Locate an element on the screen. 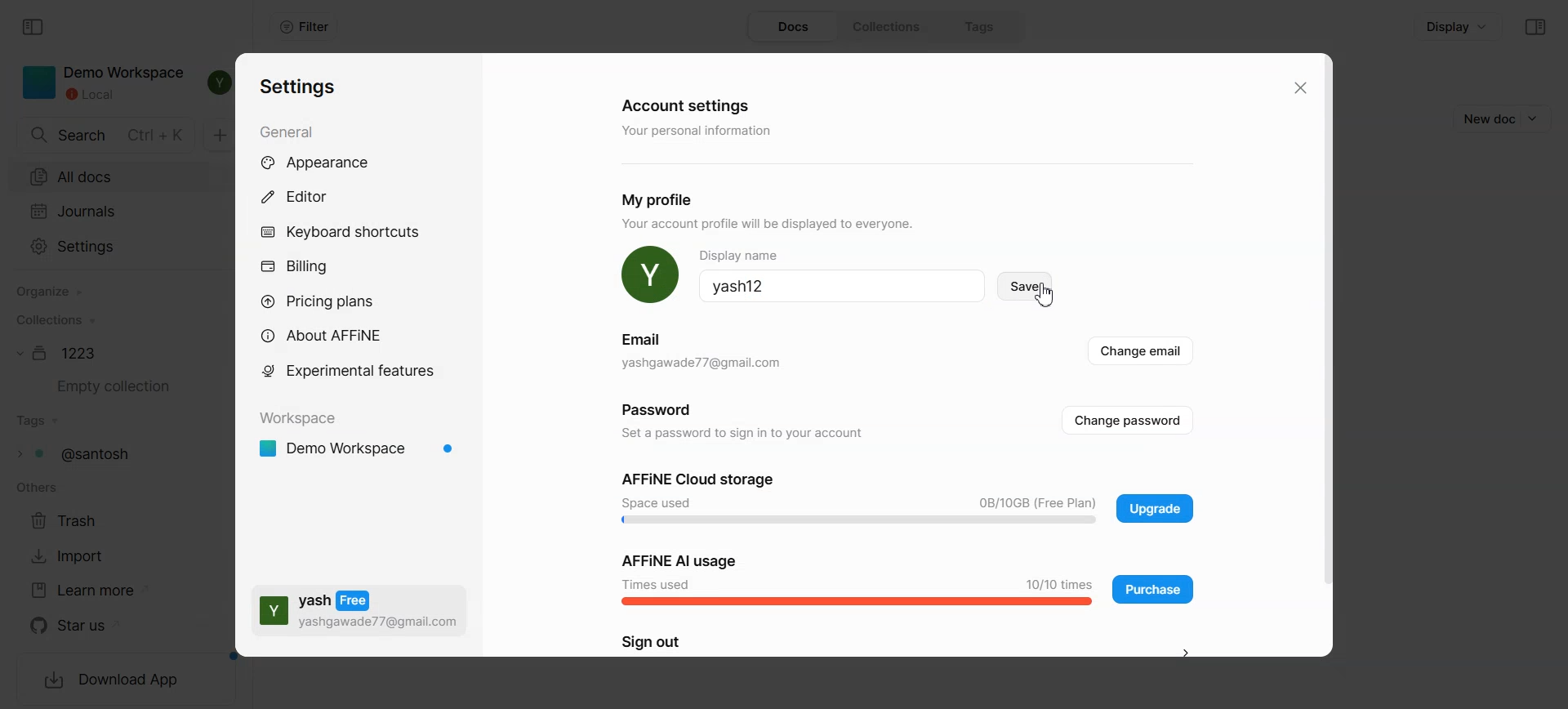 This screenshot has width=1568, height=709. Cursor is located at coordinates (1047, 295).